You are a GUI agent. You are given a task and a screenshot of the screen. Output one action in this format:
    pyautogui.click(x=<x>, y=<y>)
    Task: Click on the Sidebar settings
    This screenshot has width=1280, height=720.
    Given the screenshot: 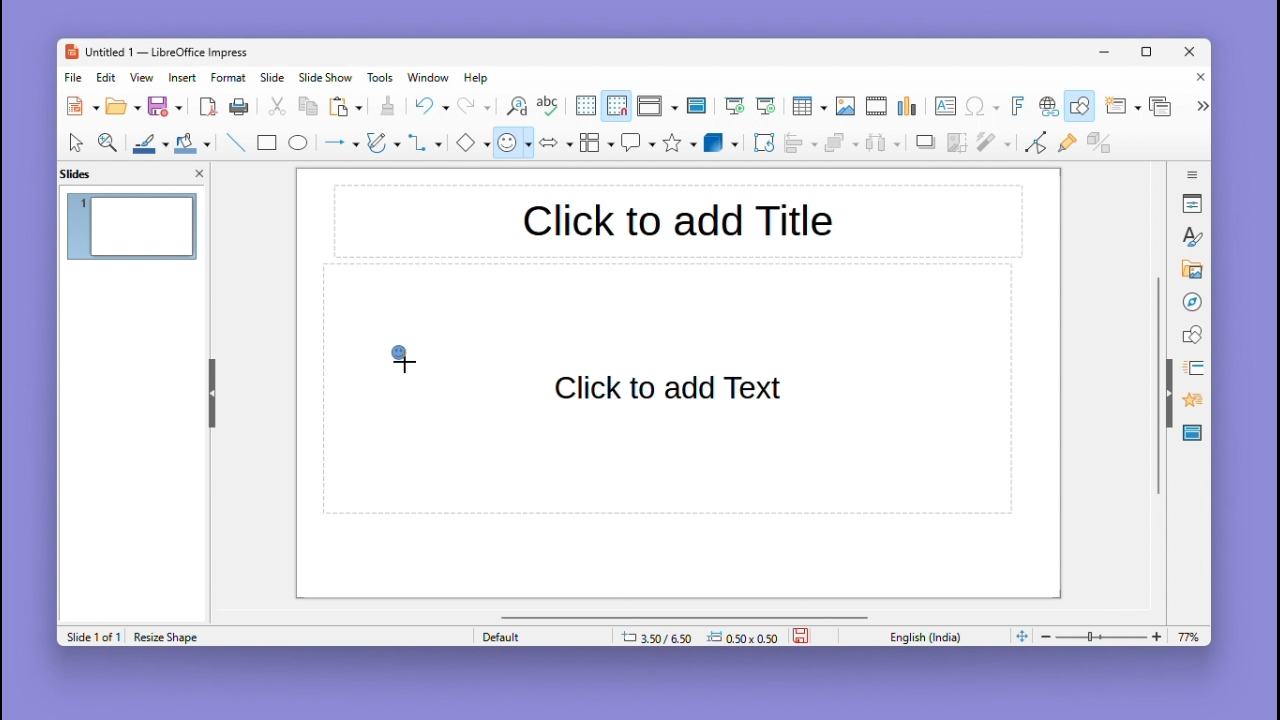 What is the action you would take?
    pyautogui.click(x=1193, y=172)
    